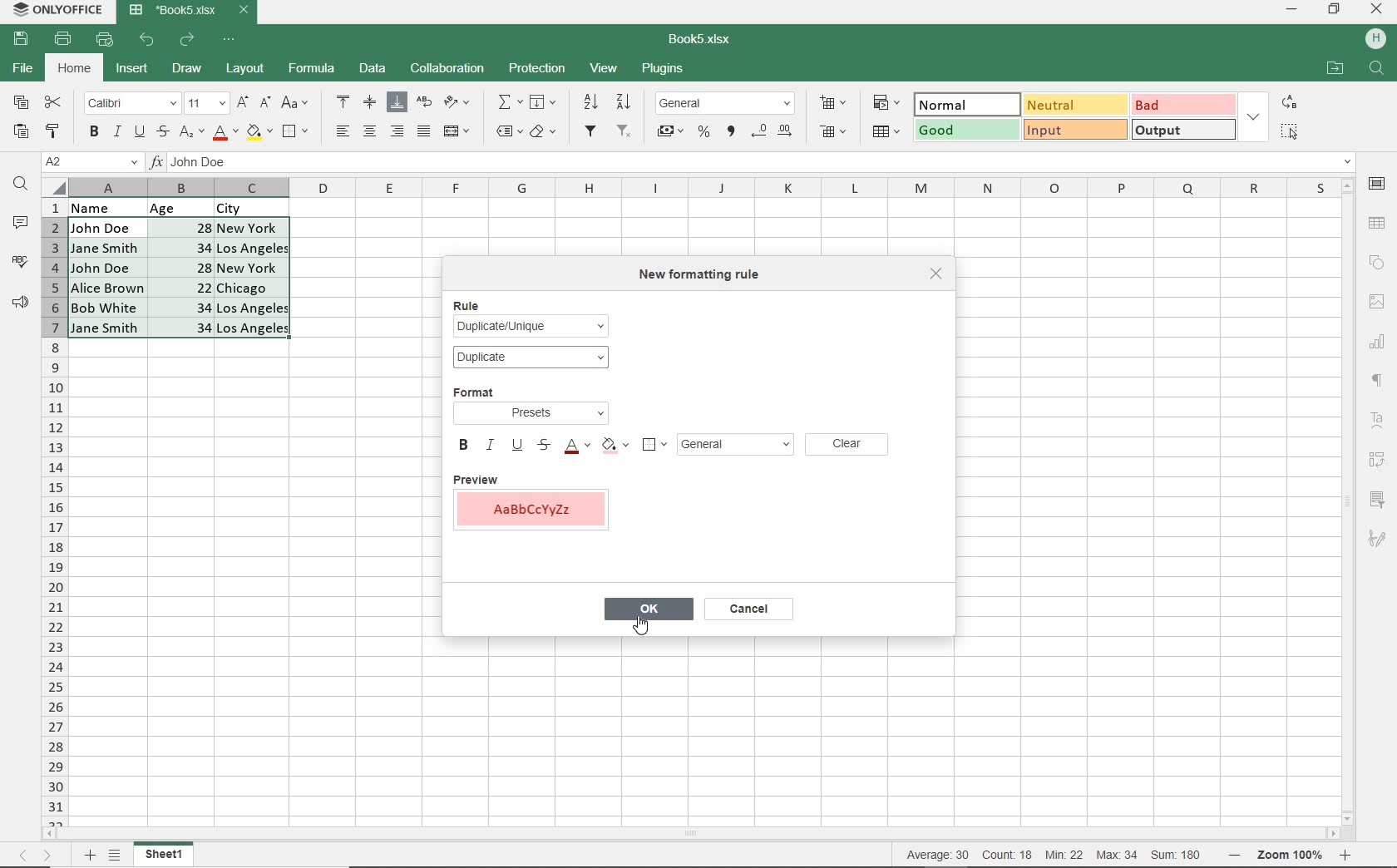  Describe the element at coordinates (965, 131) in the screenshot. I see `GOOD` at that location.